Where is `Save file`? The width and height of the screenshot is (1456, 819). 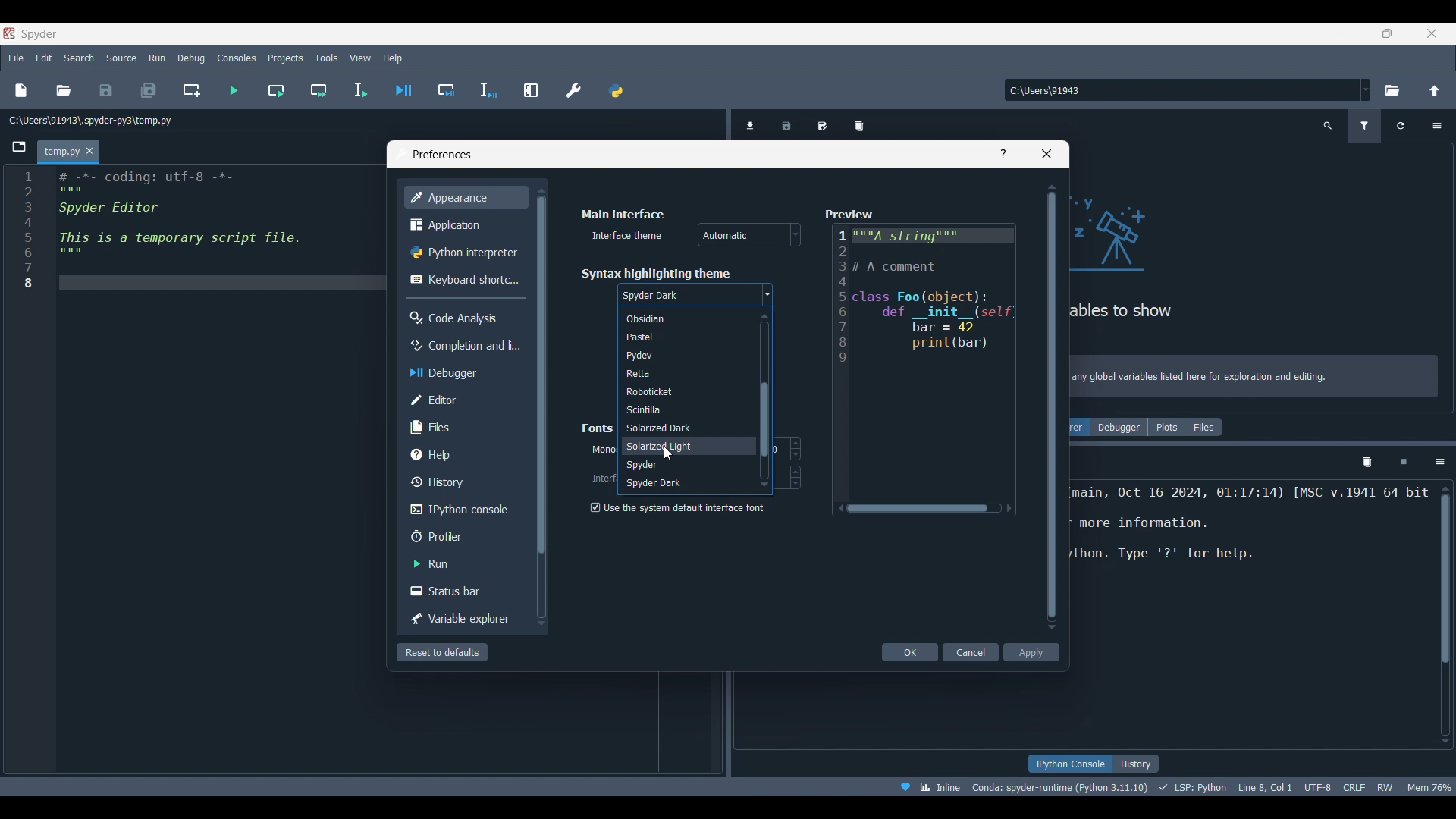 Save file is located at coordinates (107, 90).